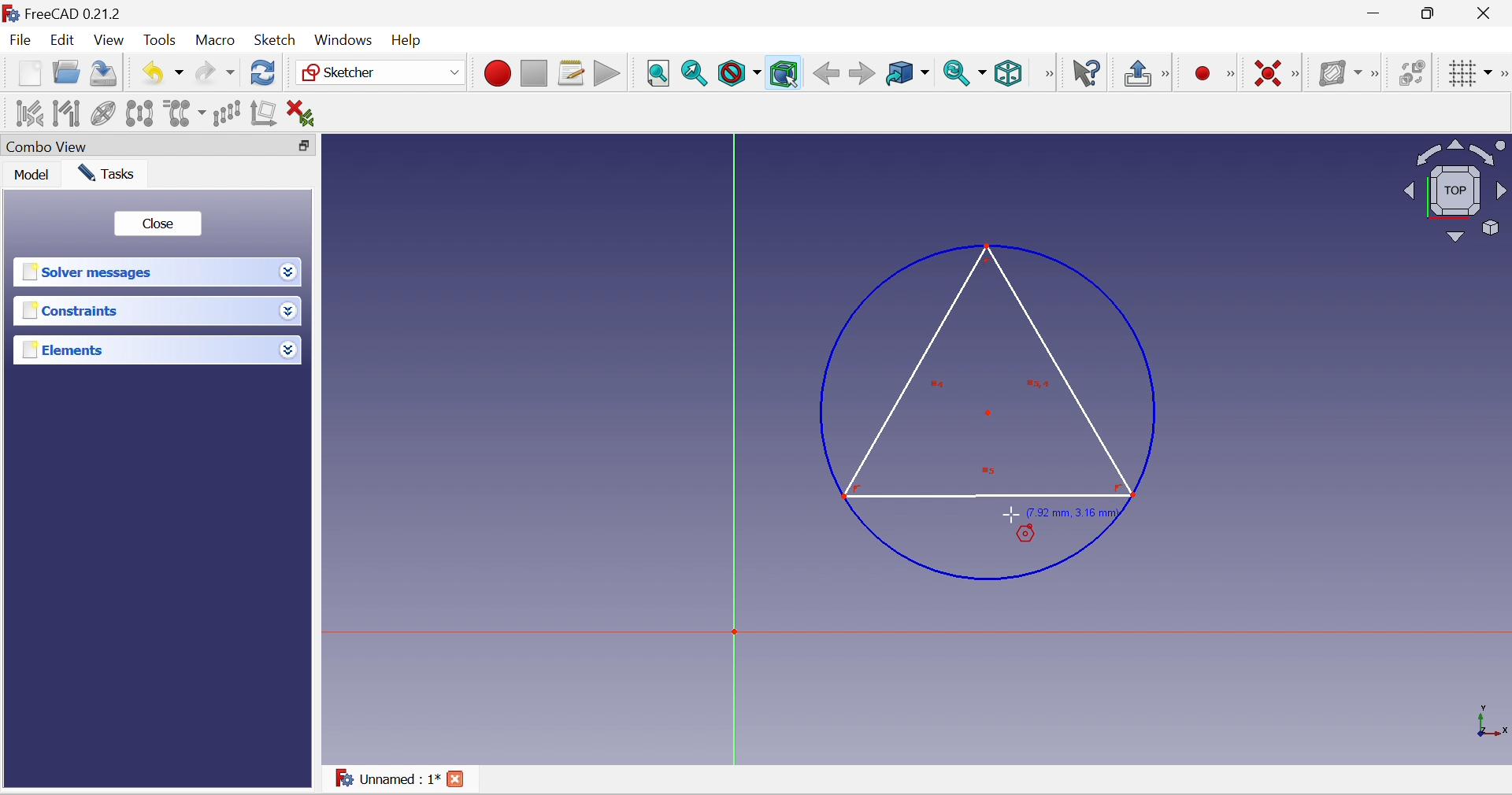 This screenshot has width=1512, height=795. Describe the element at coordinates (1340, 74) in the screenshot. I see `Show/hide B-spline information layer` at that location.